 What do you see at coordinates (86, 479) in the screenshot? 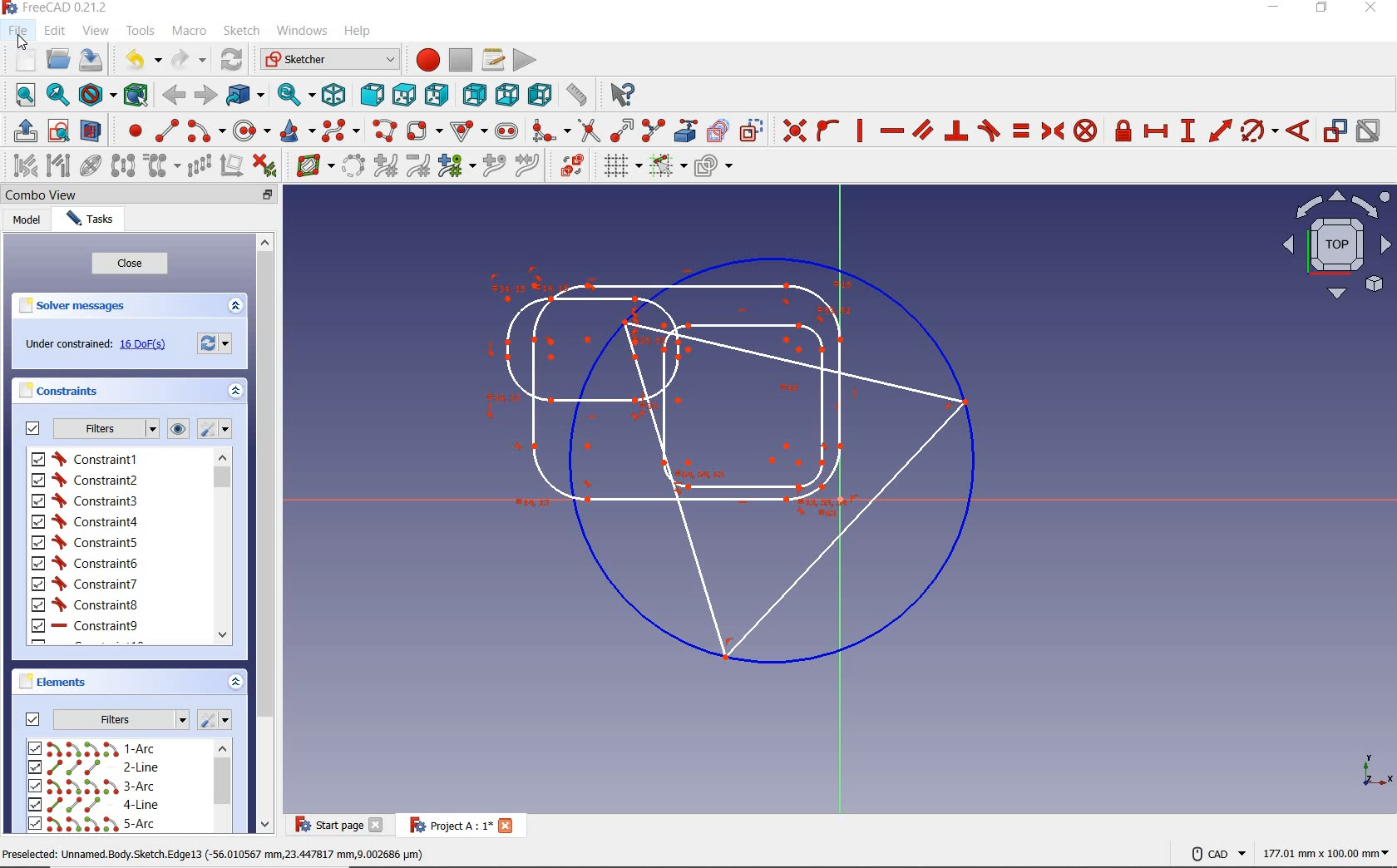
I see `constraint1` at bounding box center [86, 479].